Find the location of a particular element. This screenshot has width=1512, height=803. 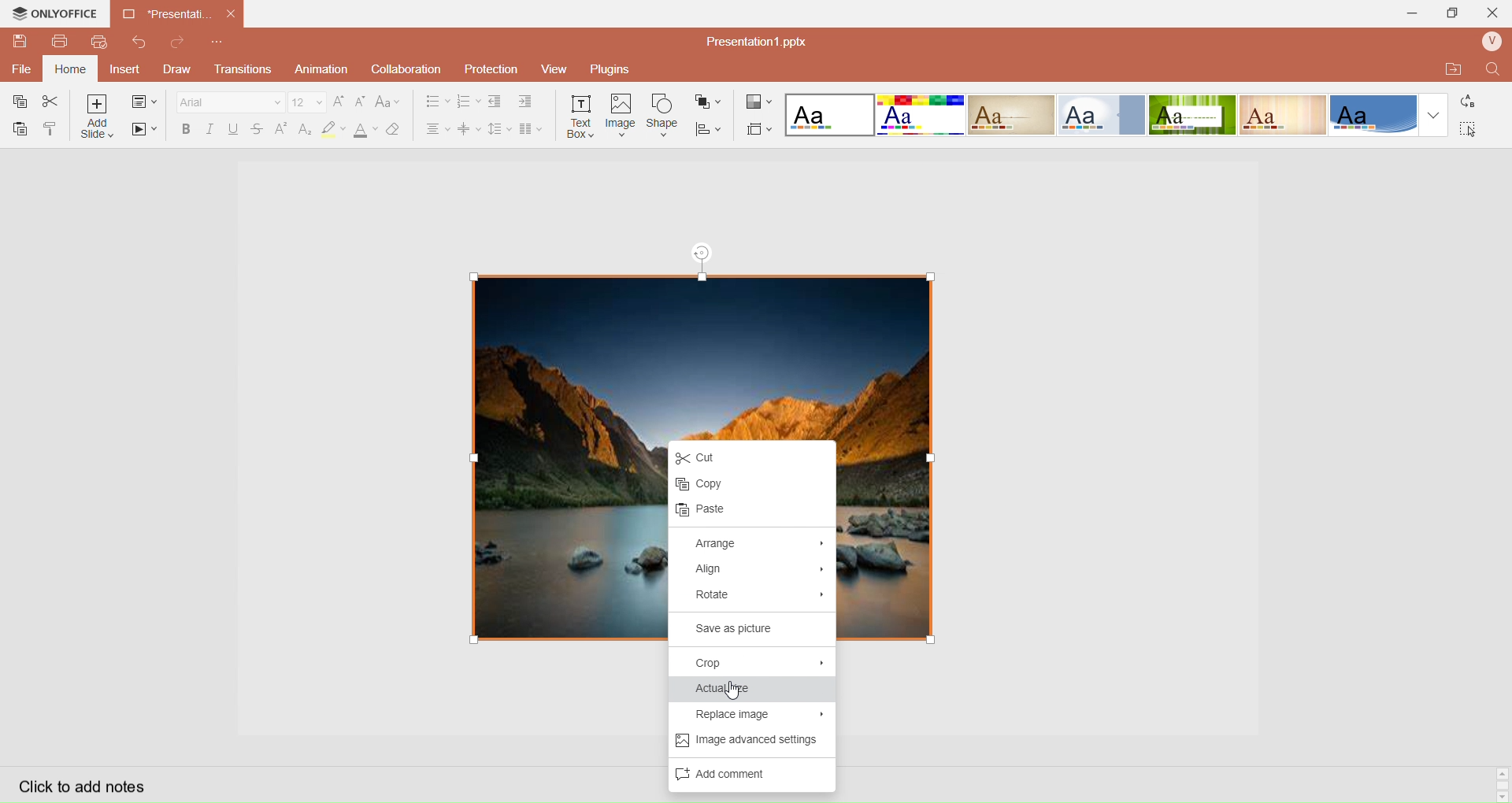

Actual Size is located at coordinates (753, 686).